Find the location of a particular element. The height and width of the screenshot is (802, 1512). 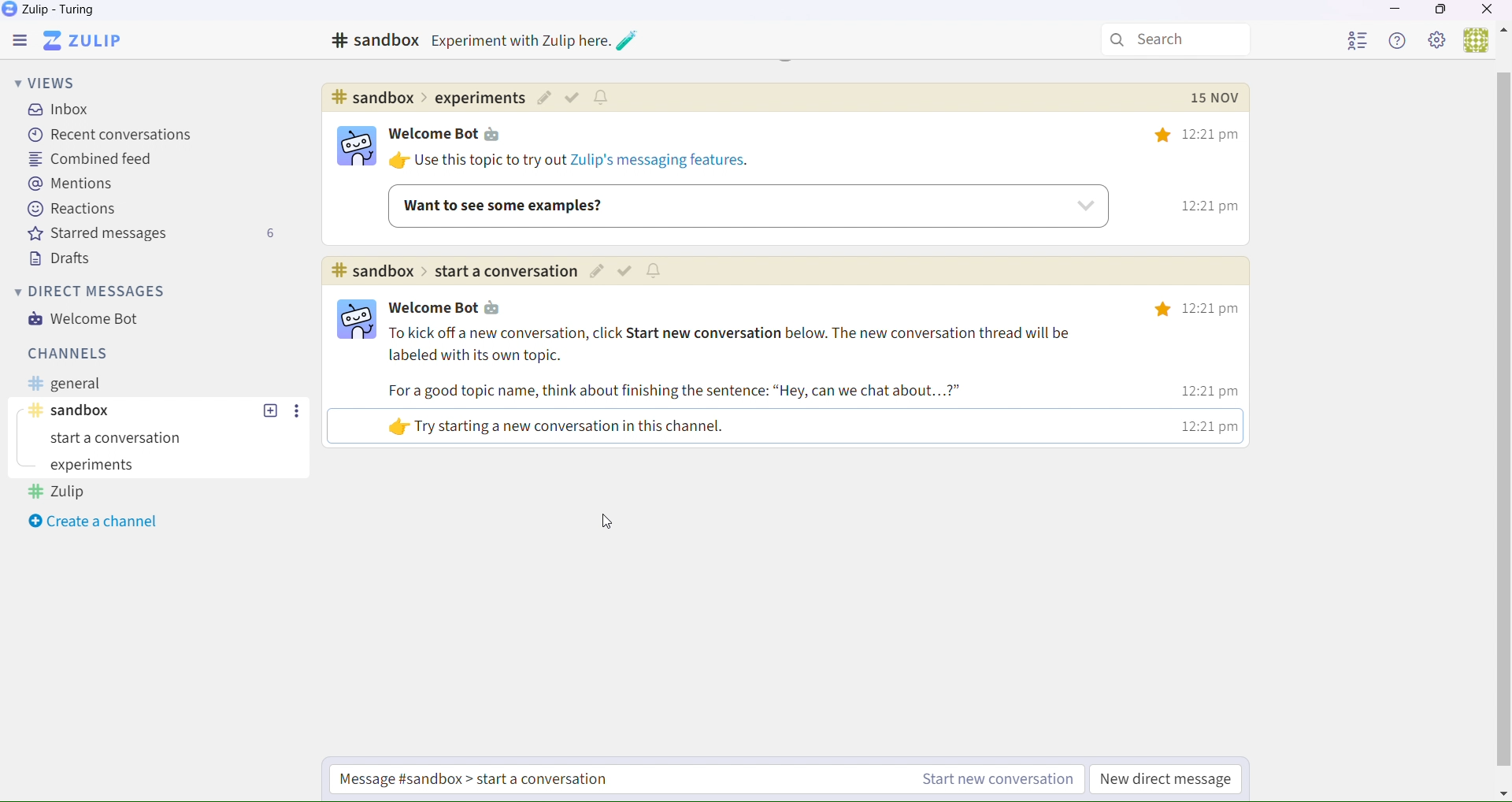

Drafts is located at coordinates (57, 258).